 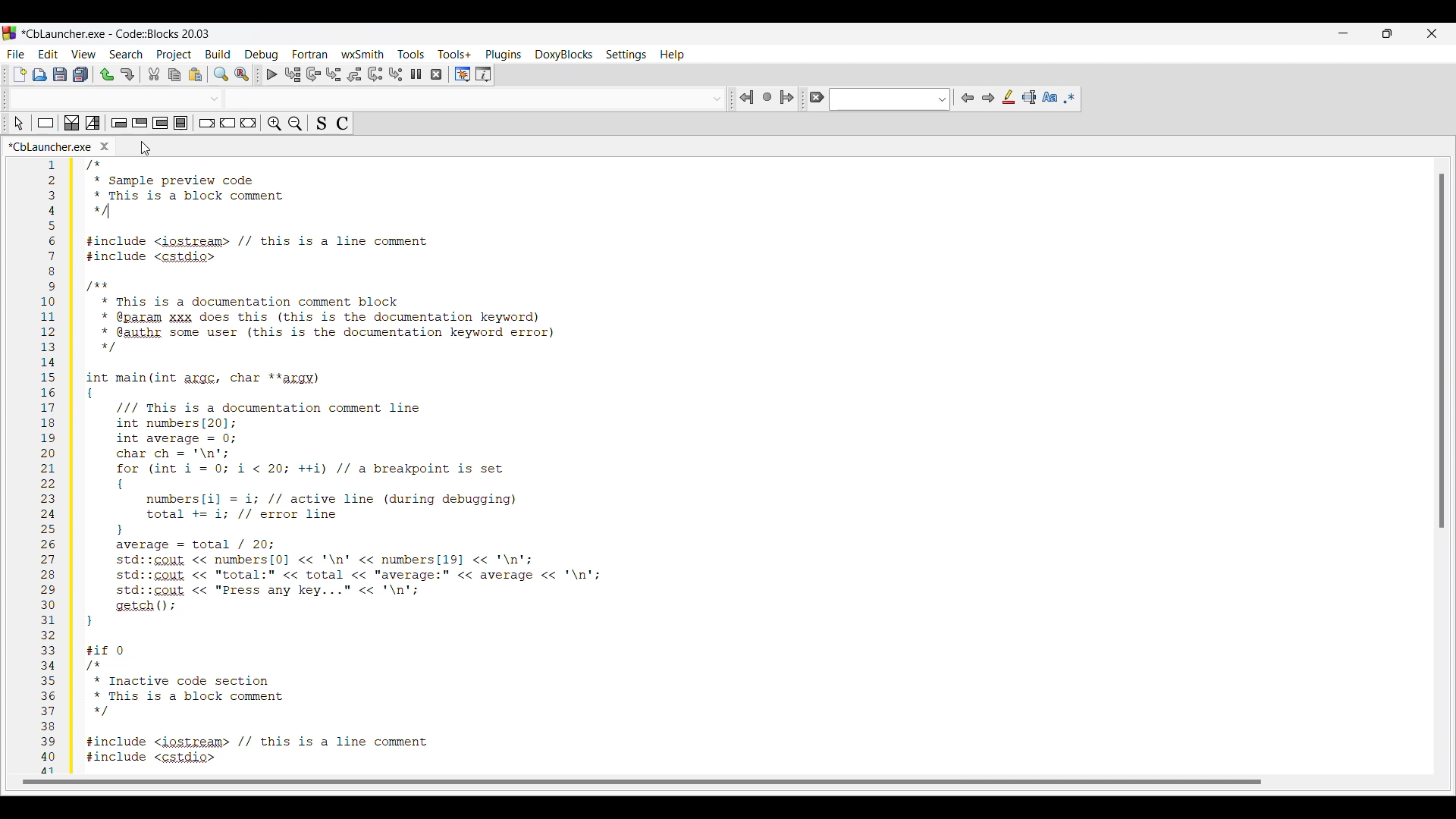 I want to click on Clear, so click(x=817, y=97).